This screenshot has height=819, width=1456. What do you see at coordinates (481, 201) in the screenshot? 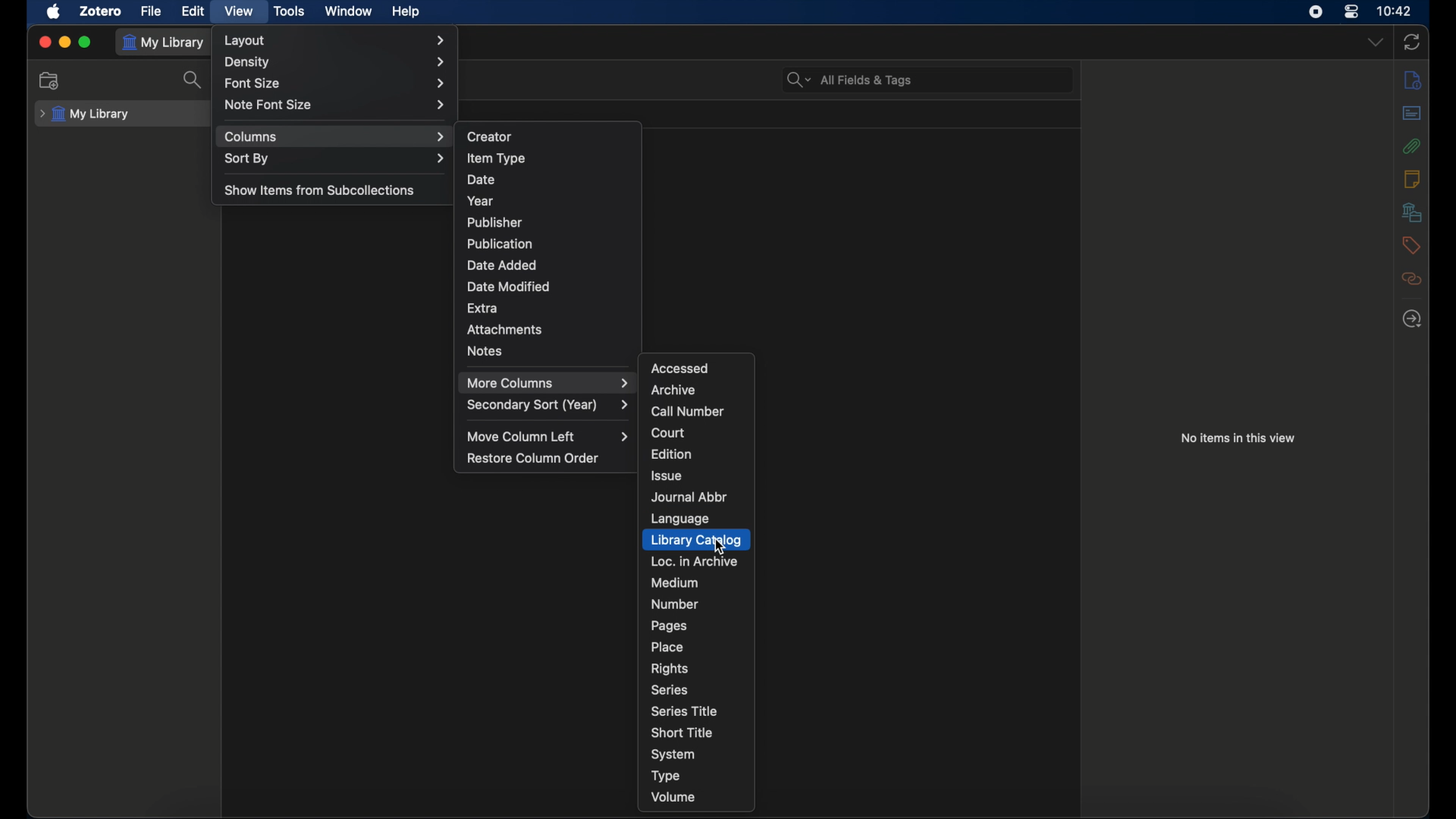
I see `year` at bounding box center [481, 201].